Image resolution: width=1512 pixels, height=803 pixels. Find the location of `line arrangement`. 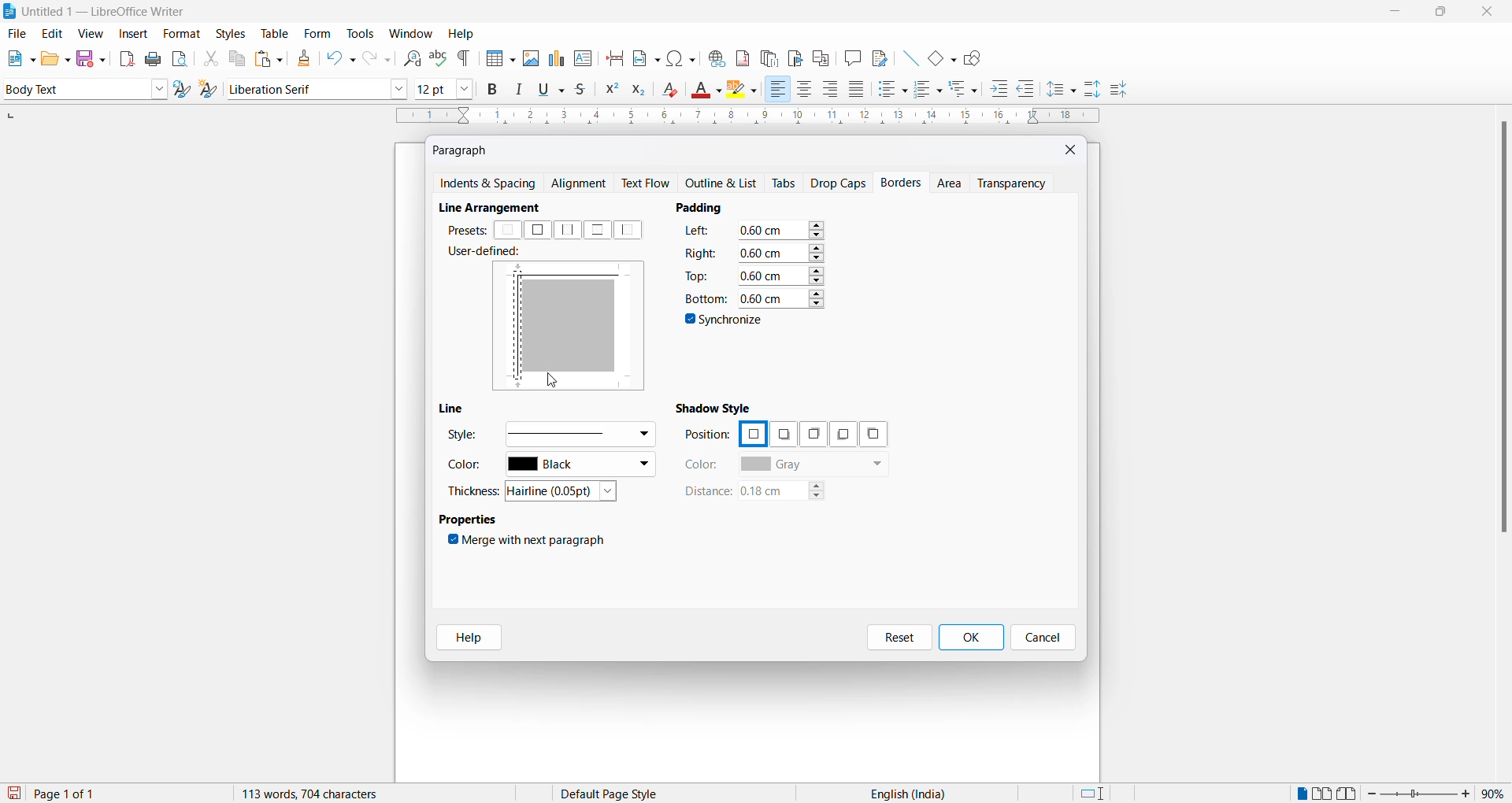

line arrangement is located at coordinates (498, 208).